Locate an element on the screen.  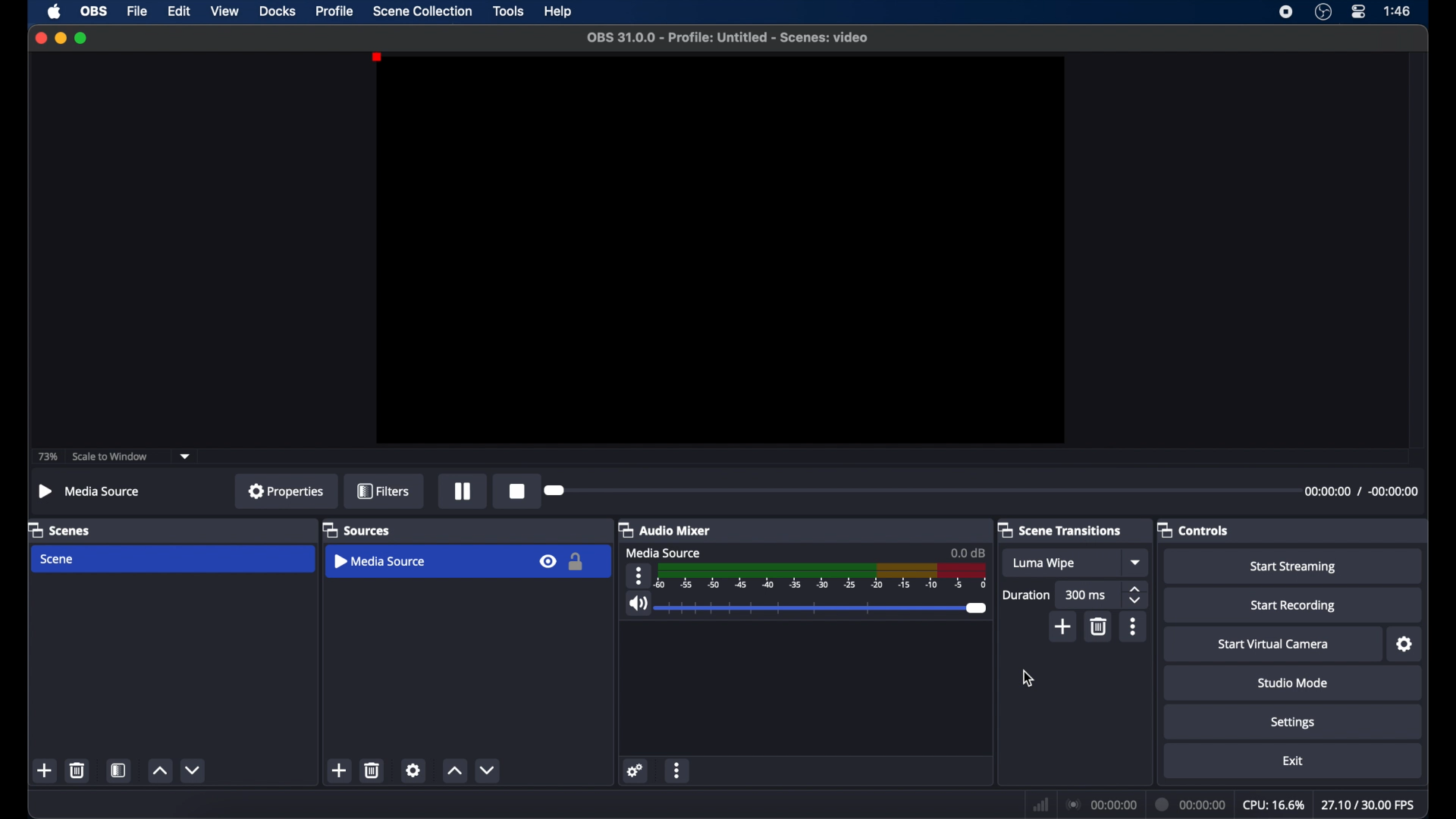
start streaming is located at coordinates (1293, 567).